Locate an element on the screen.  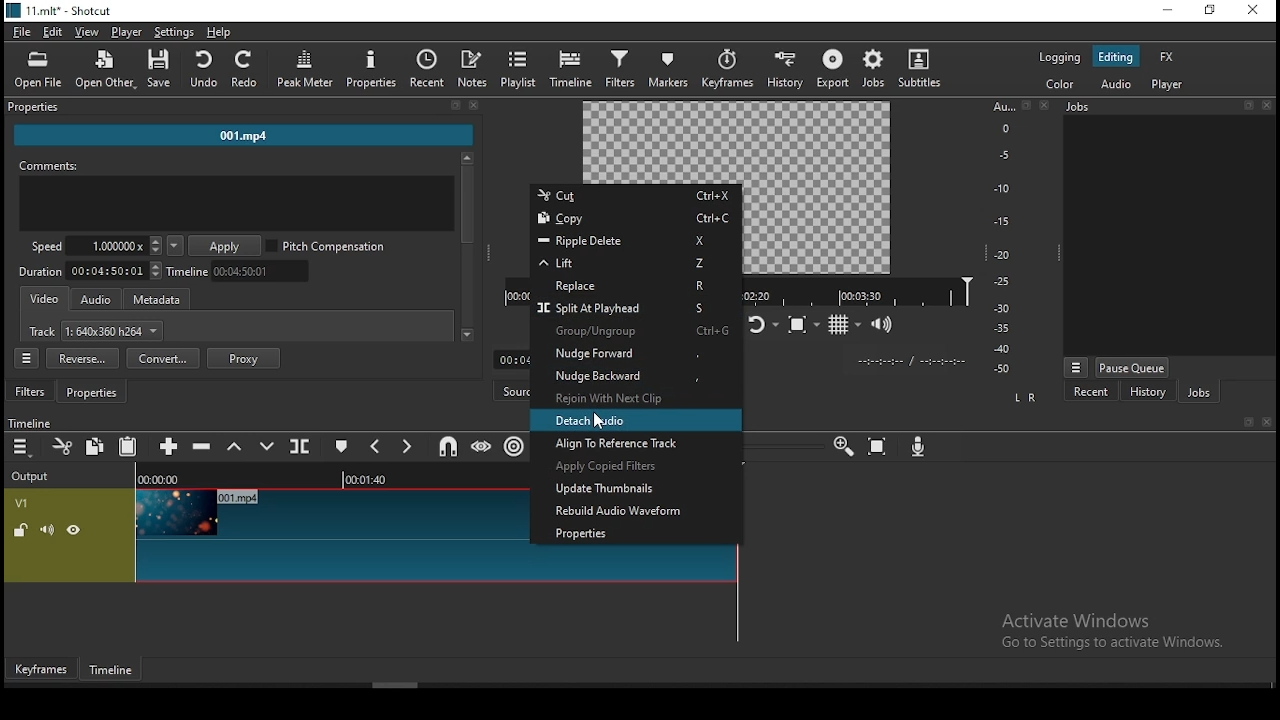
next marker is located at coordinates (409, 446).